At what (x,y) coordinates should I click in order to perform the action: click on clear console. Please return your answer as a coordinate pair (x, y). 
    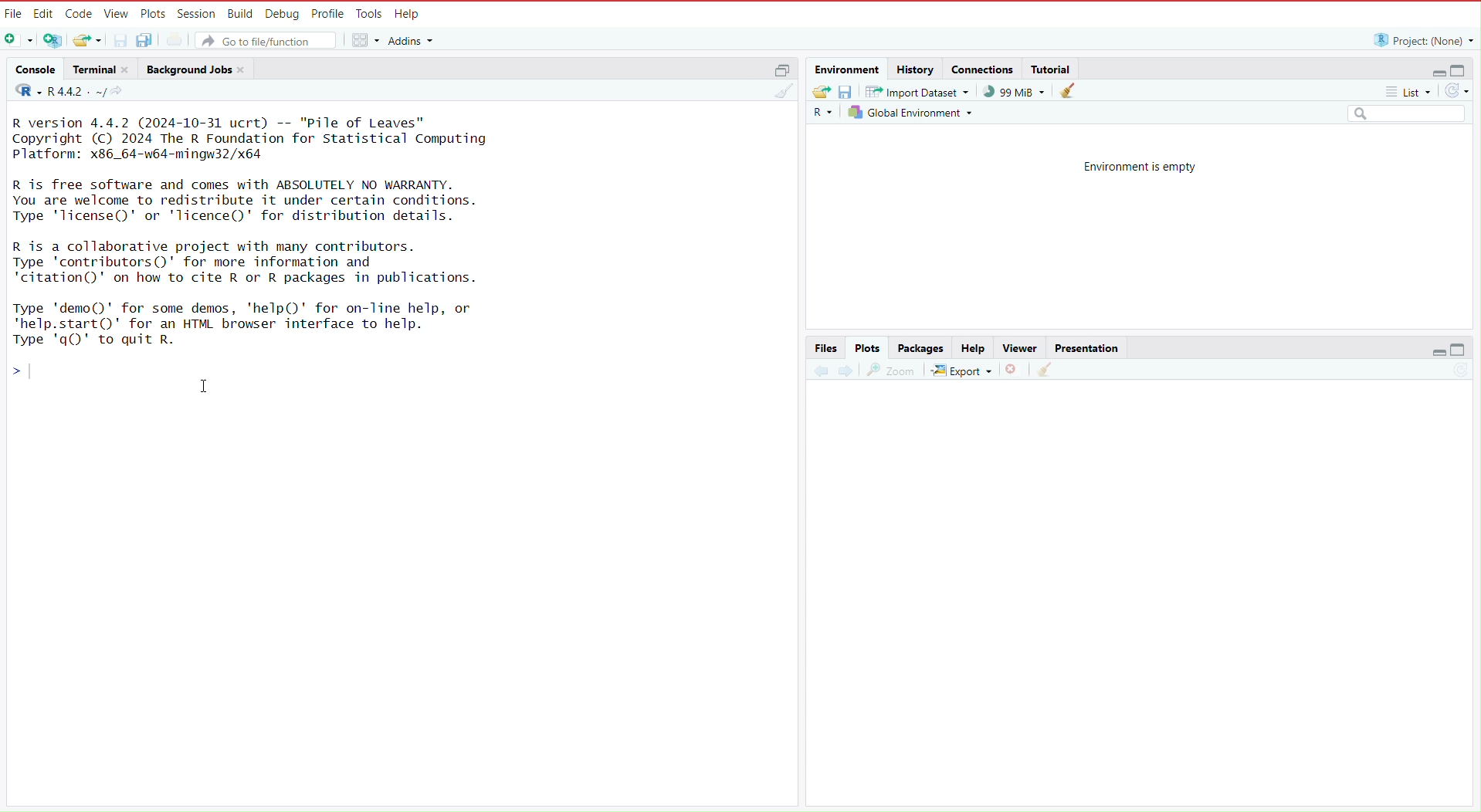
    Looking at the image, I should click on (782, 92).